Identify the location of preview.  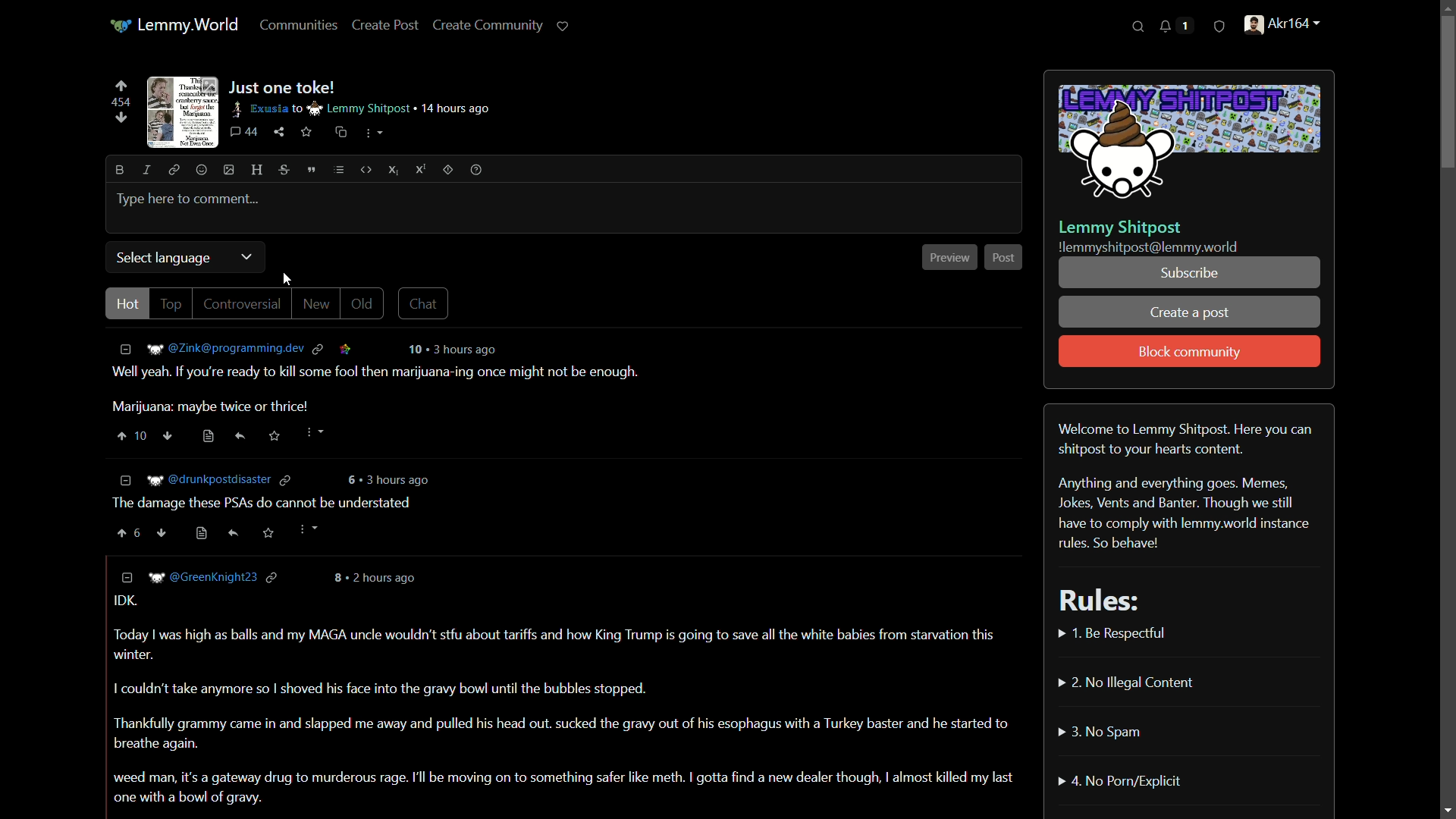
(952, 258).